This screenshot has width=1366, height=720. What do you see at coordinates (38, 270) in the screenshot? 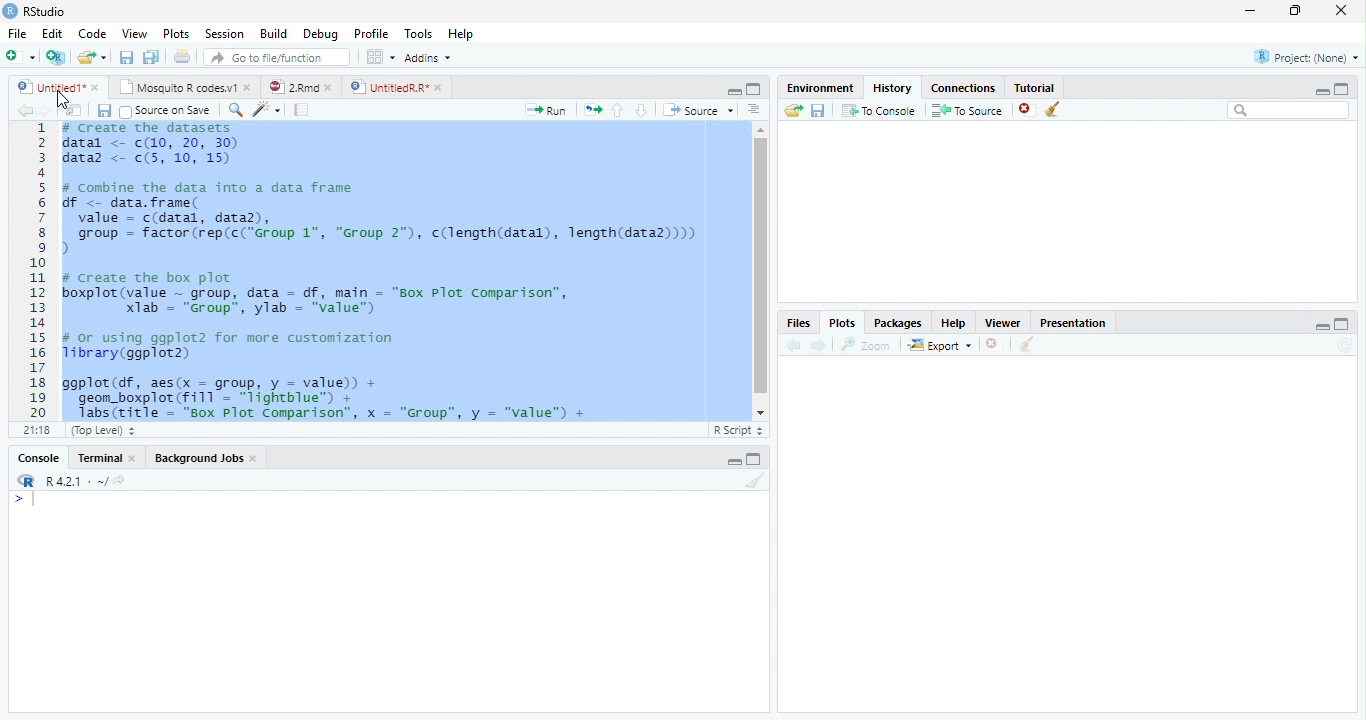
I see `Line numbers` at bounding box center [38, 270].